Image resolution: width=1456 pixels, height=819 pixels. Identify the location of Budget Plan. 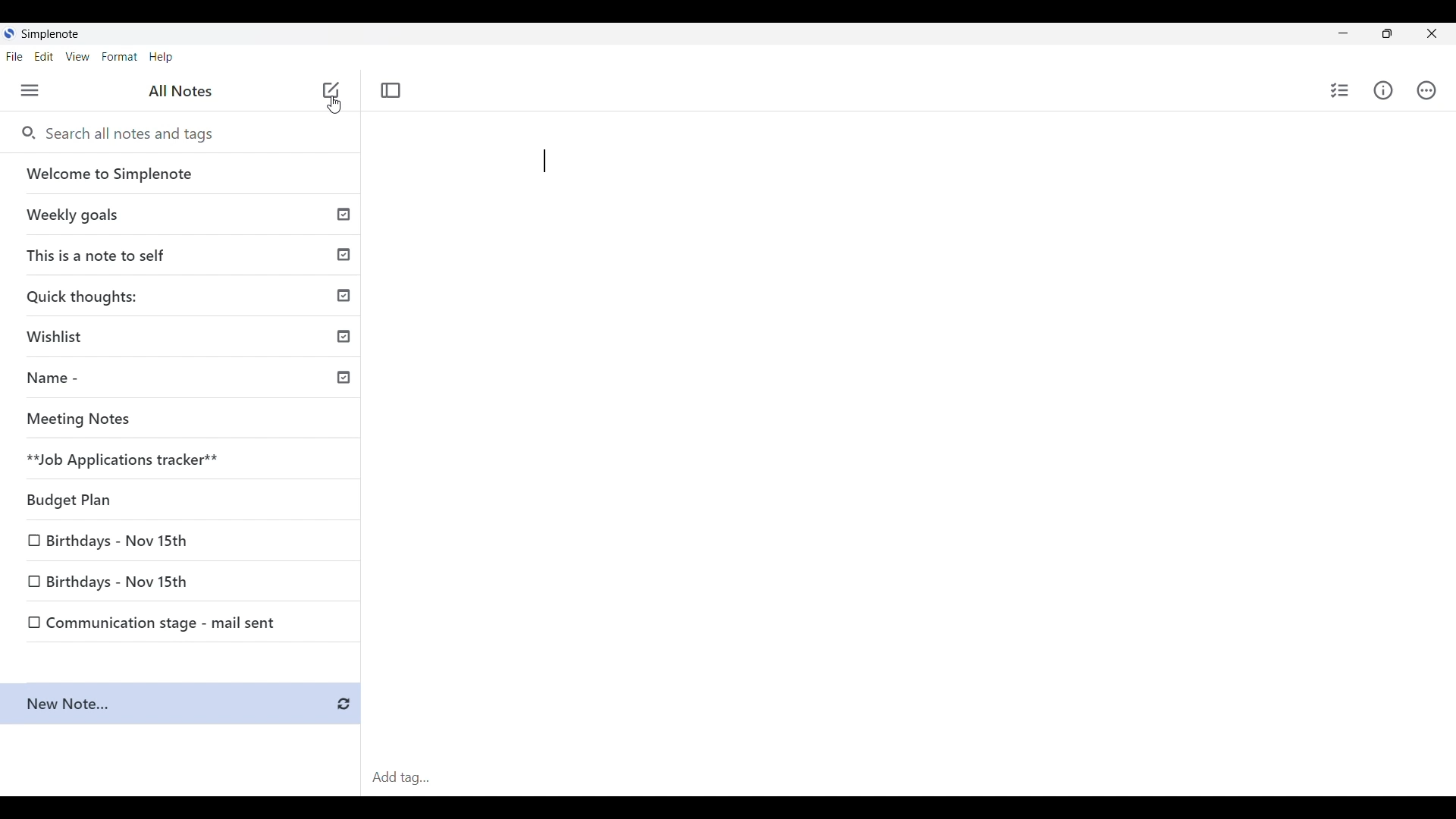
(185, 500).